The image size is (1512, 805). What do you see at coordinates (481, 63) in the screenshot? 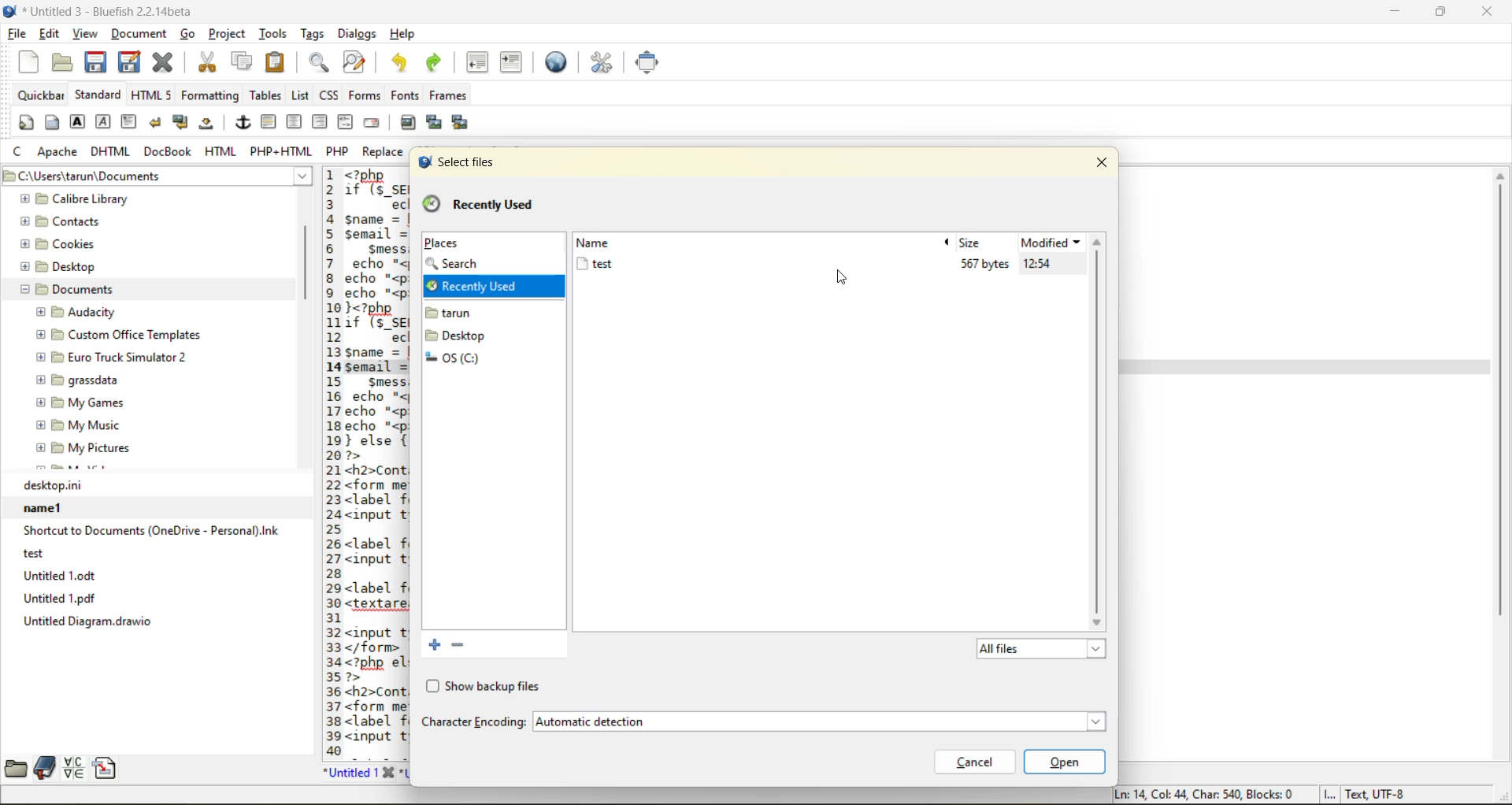
I see `unindent ` at bounding box center [481, 63].